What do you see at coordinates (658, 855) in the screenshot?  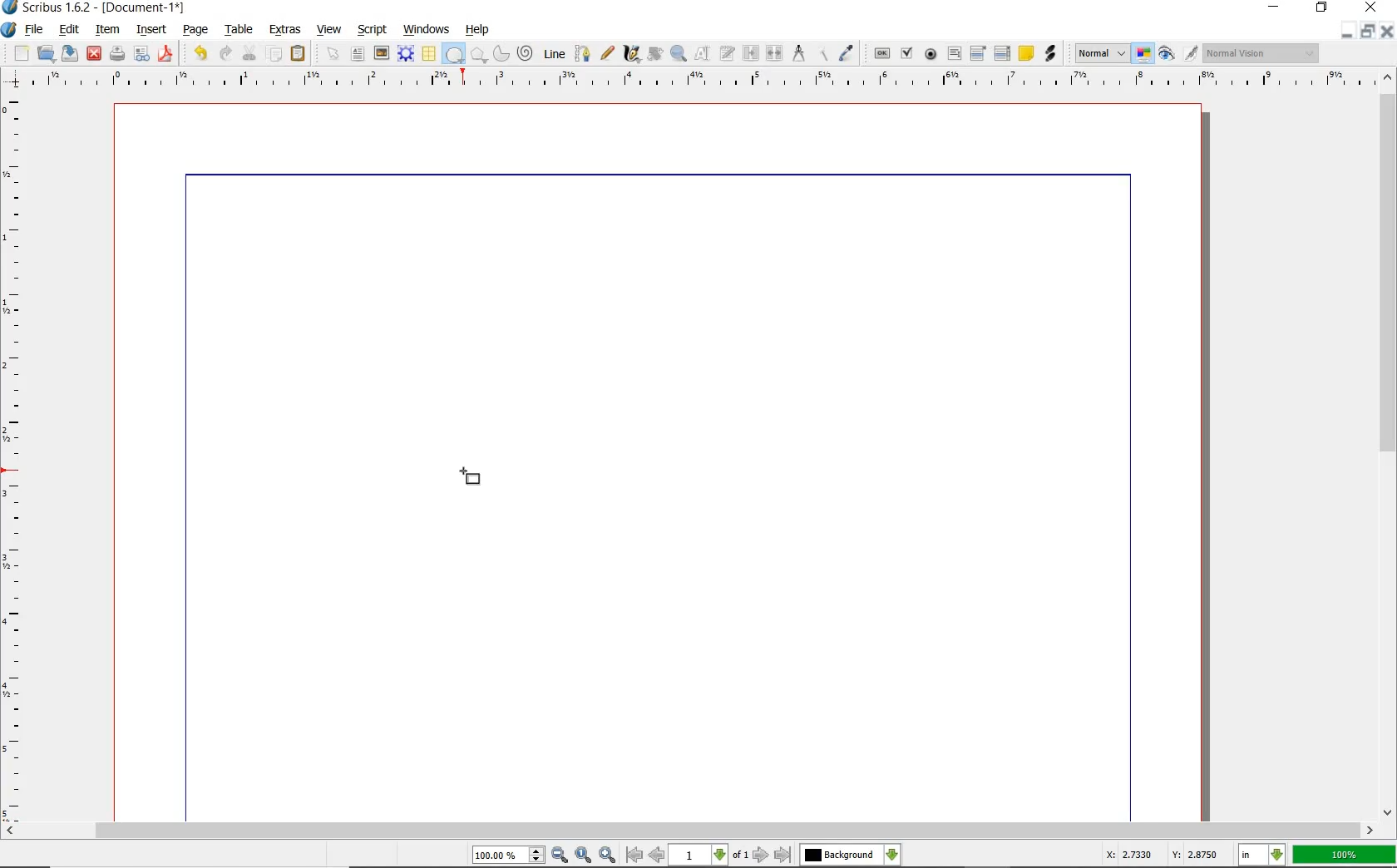 I see `previous` at bounding box center [658, 855].